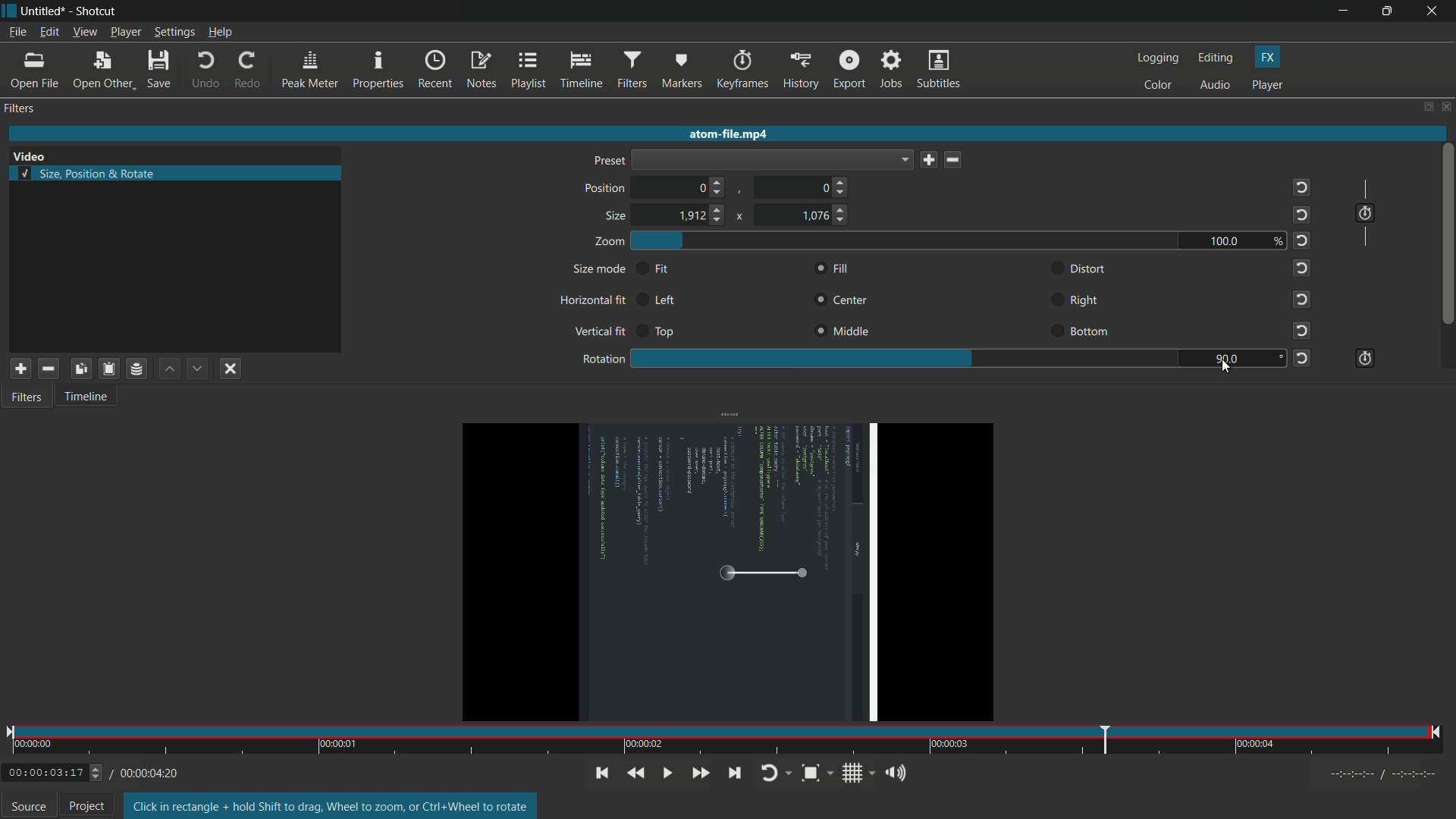  Describe the element at coordinates (906, 240) in the screenshot. I see `zoom adjustment bar` at that location.